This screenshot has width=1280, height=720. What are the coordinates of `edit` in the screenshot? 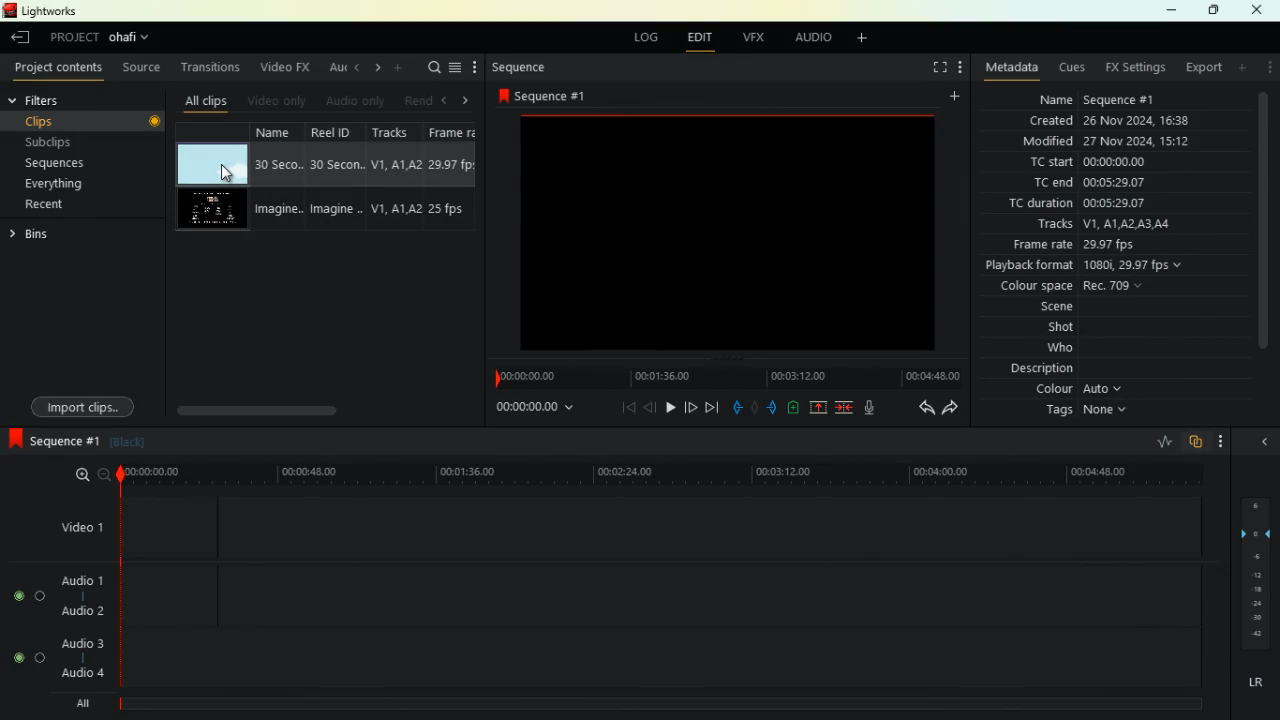 It's located at (697, 38).